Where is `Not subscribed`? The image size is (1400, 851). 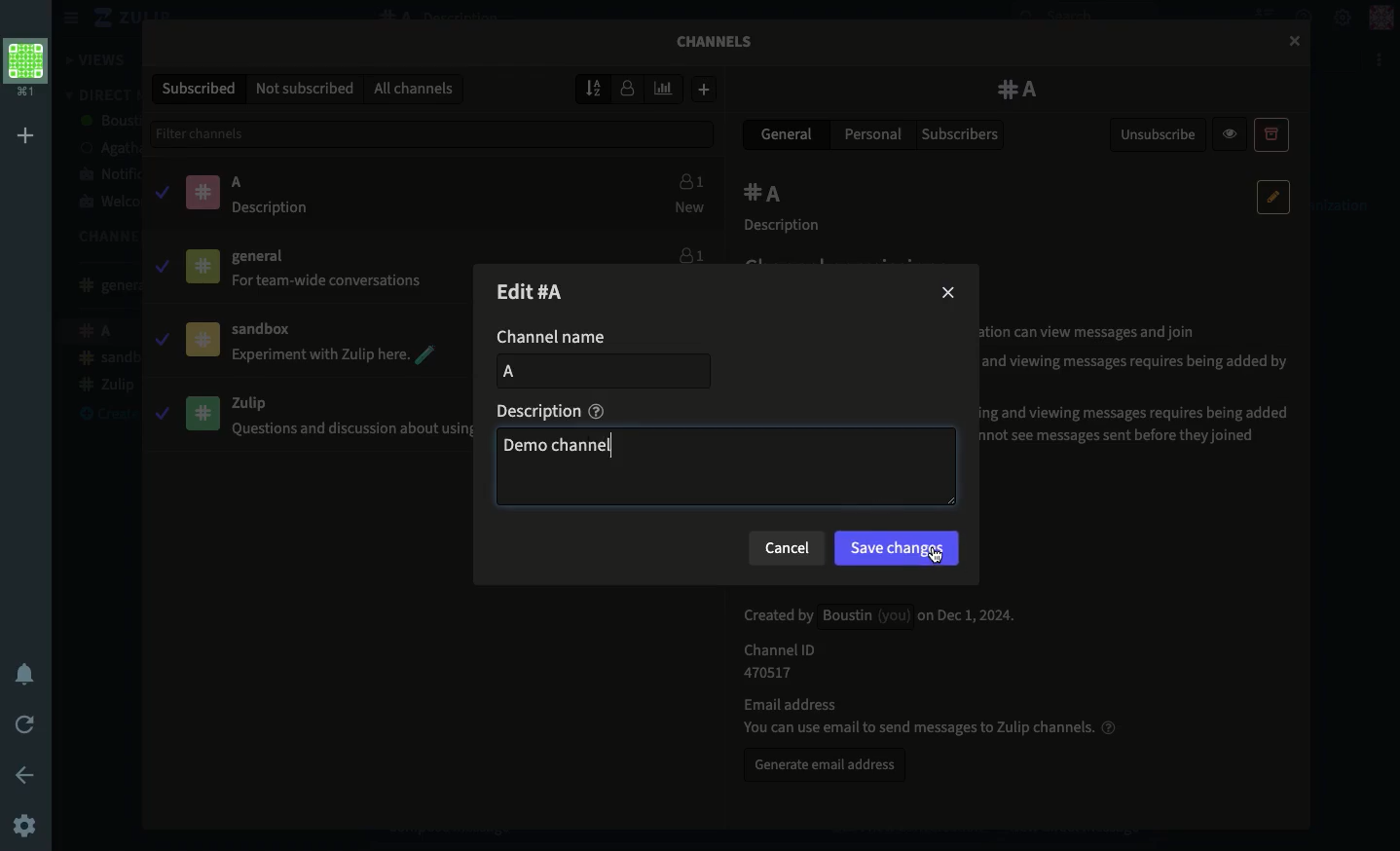
Not subscribed is located at coordinates (306, 89).